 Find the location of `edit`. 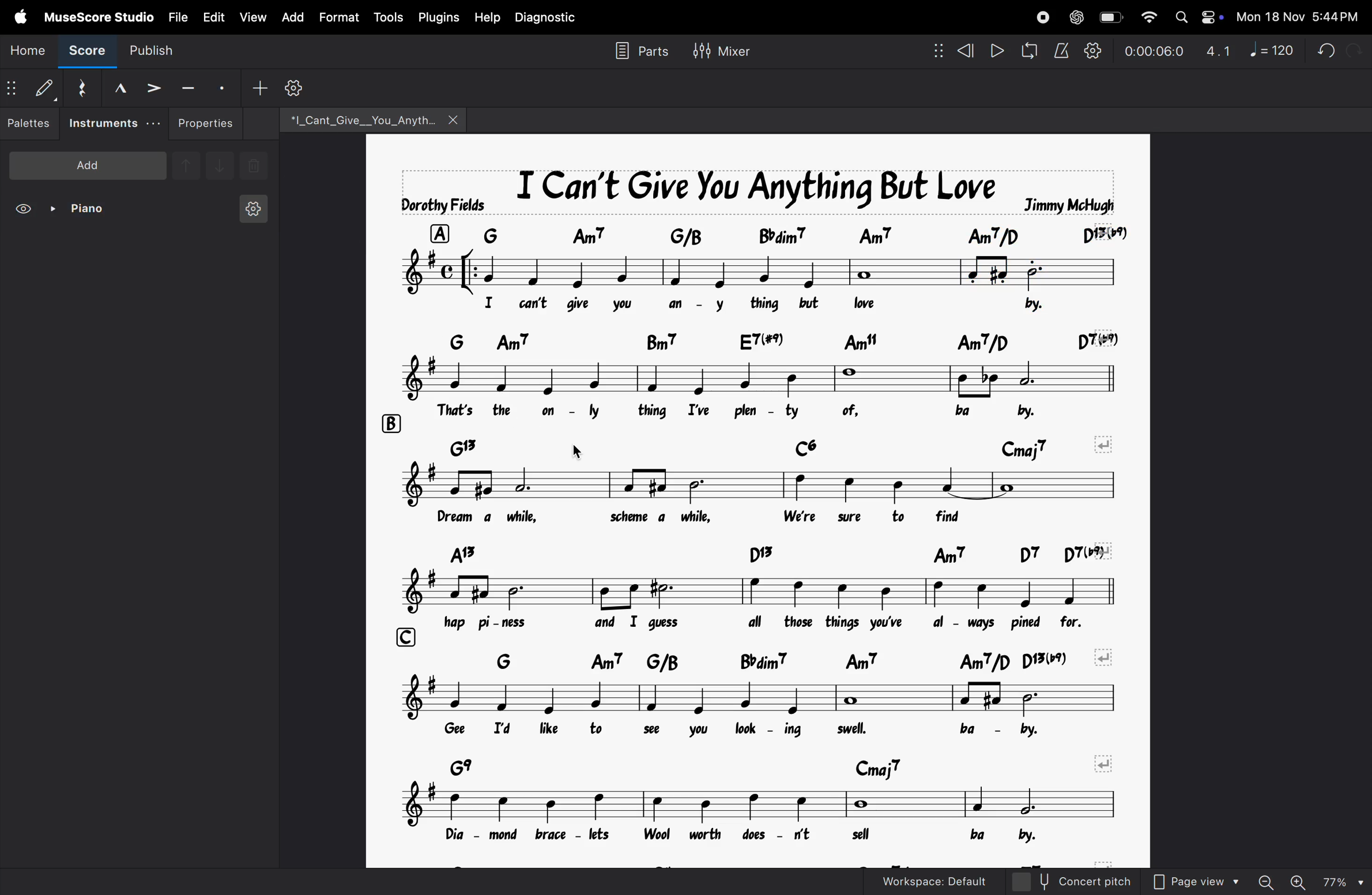

edit is located at coordinates (213, 17).